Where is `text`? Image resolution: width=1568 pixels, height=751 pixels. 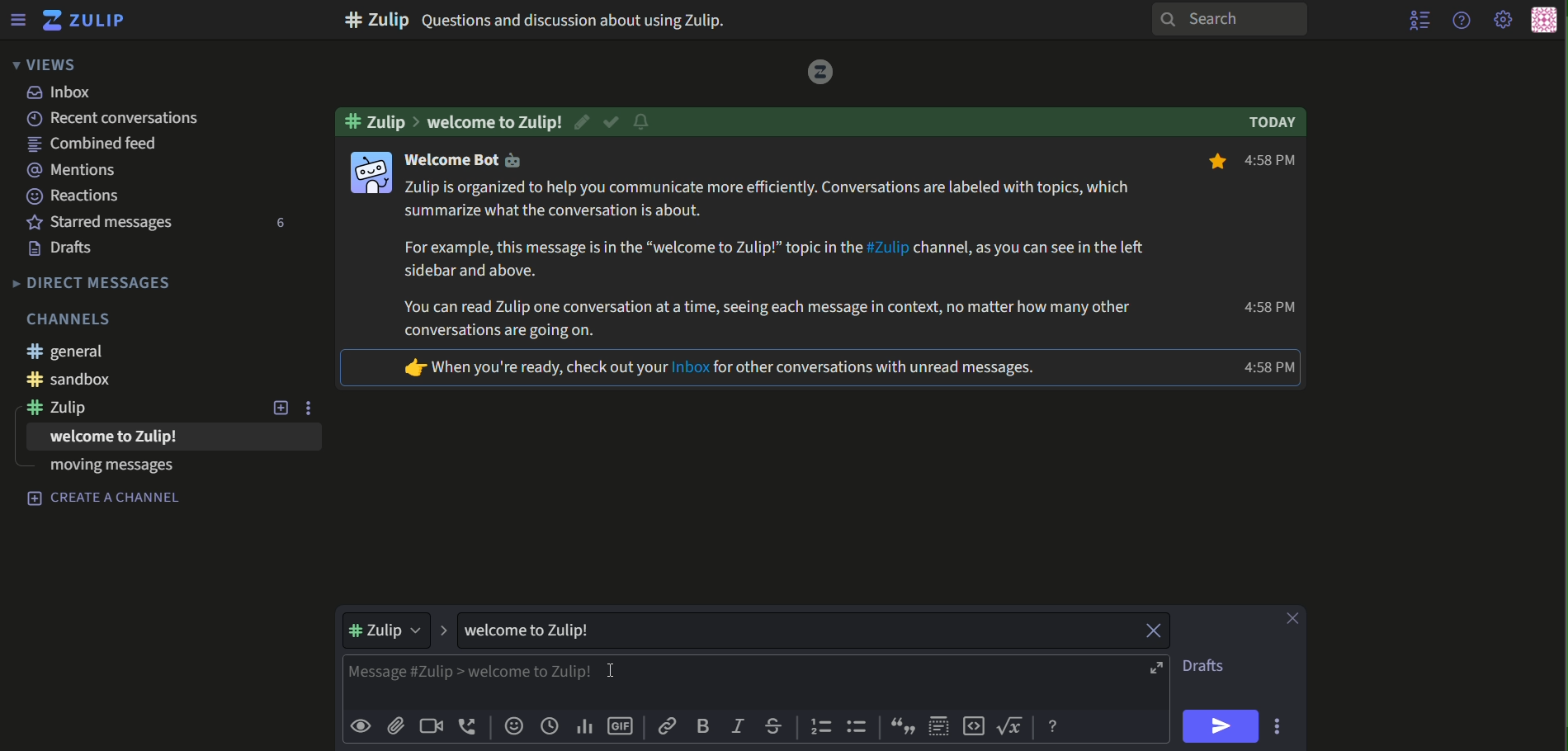 text is located at coordinates (74, 196).